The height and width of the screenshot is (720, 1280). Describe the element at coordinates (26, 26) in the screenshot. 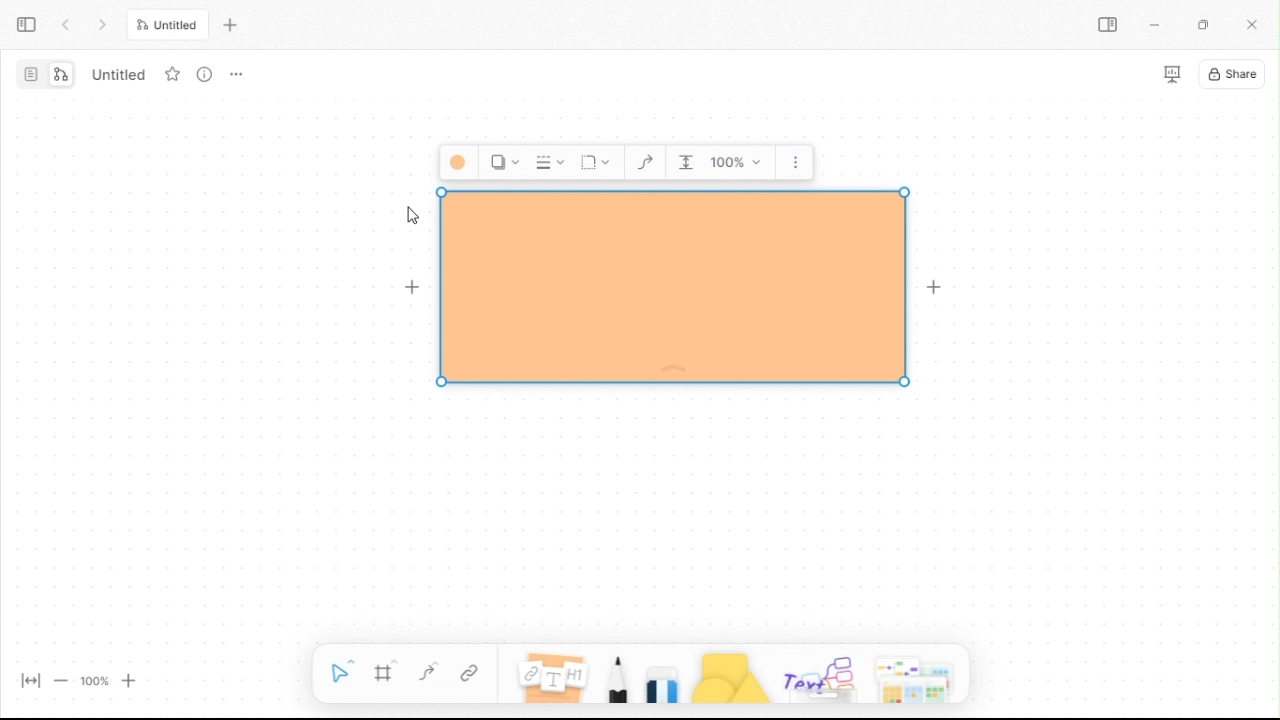

I see `expand sidebar` at that location.